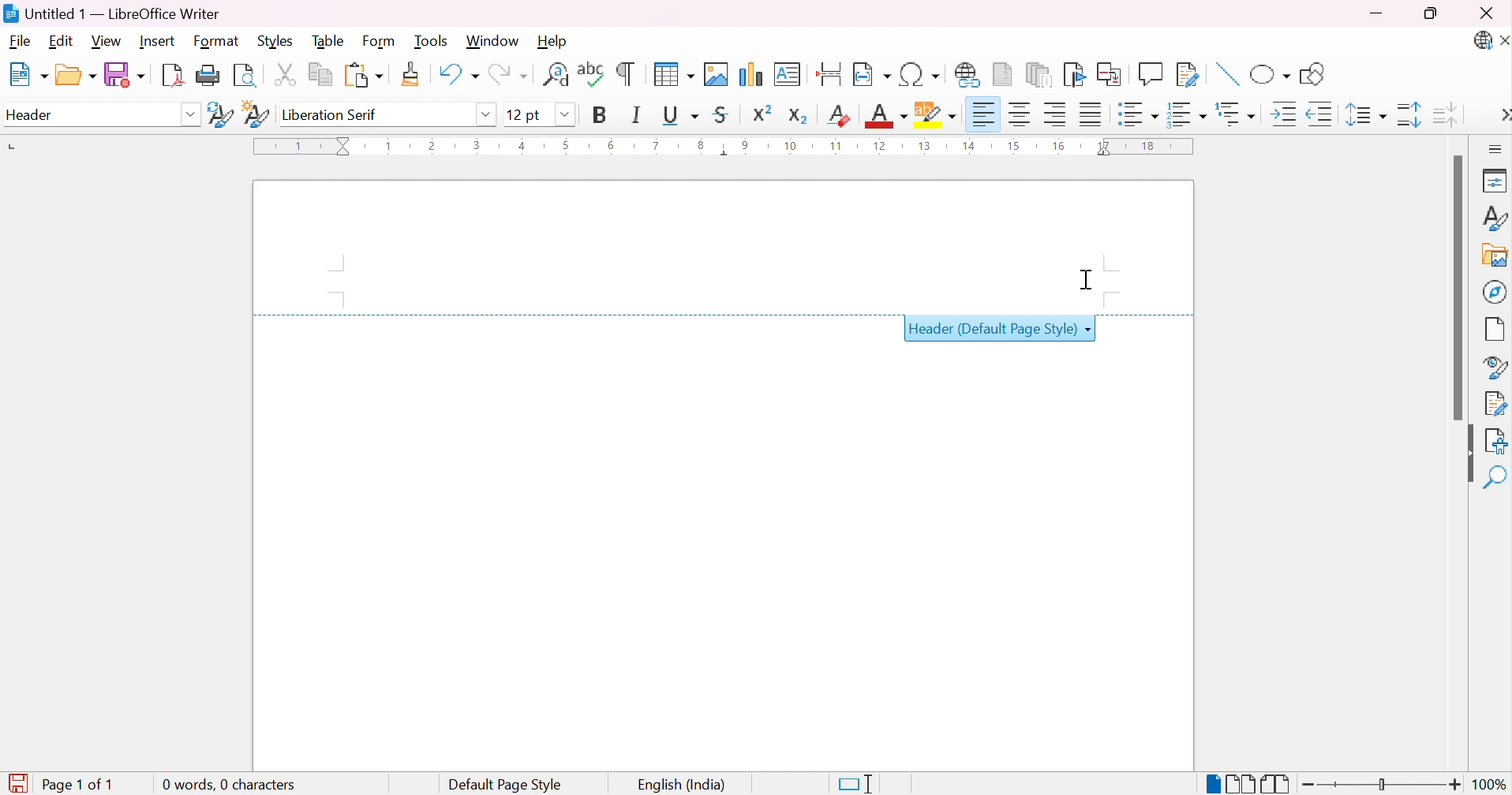 This screenshot has height=795, width=1512. What do you see at coordinates (1228, 74) in the screenshot?
I see `Image annotation` at bounding box center [1228, 74].